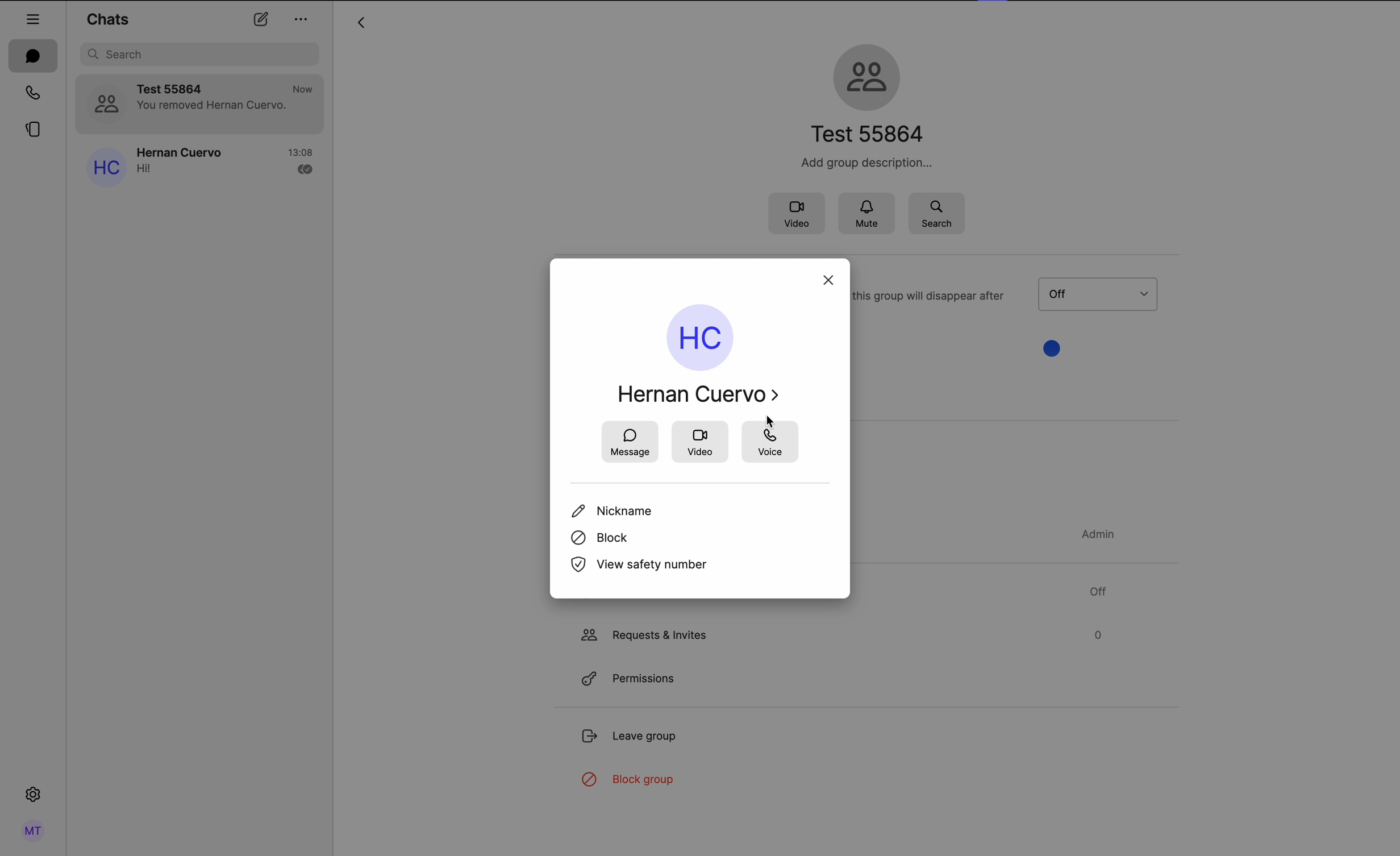  What do you see at coordinates (33, 797) in the screenshot?
I see `settings` at bounding box center [33, 797].